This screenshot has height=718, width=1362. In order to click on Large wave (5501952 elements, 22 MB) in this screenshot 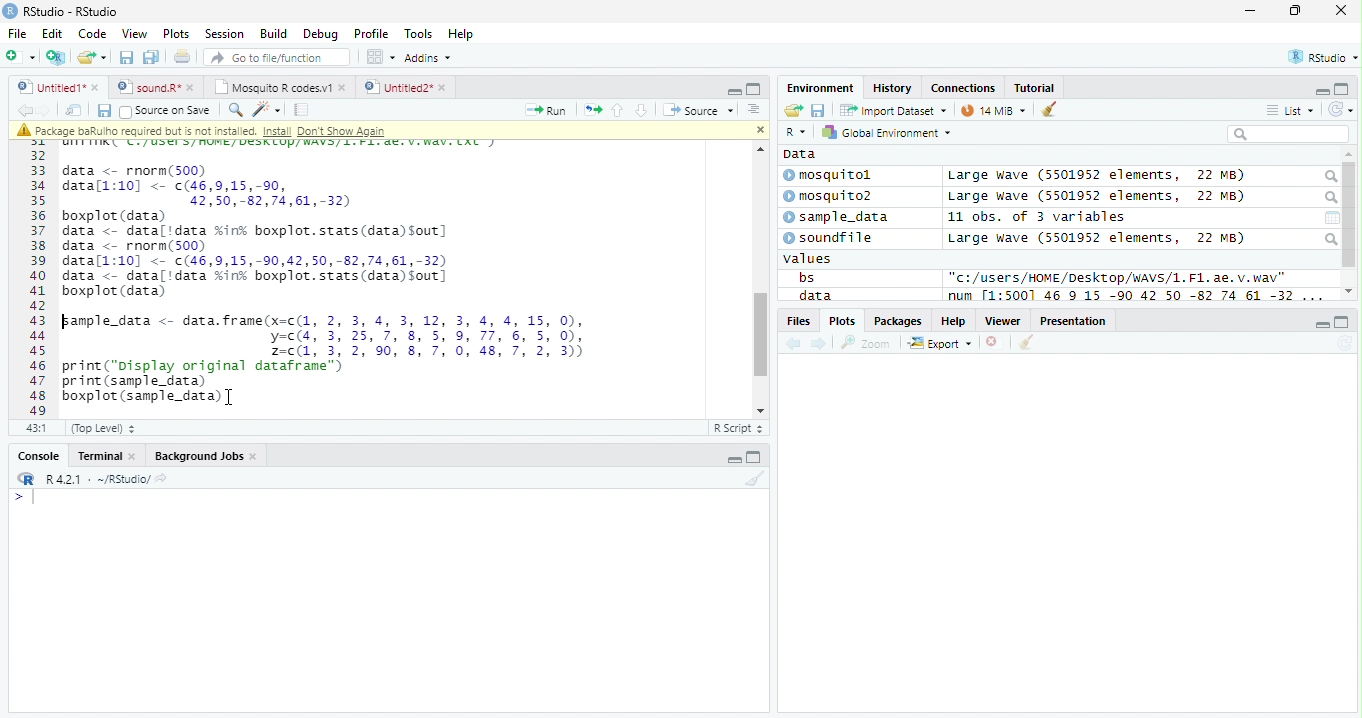, I will do `click(1096, 238)`.